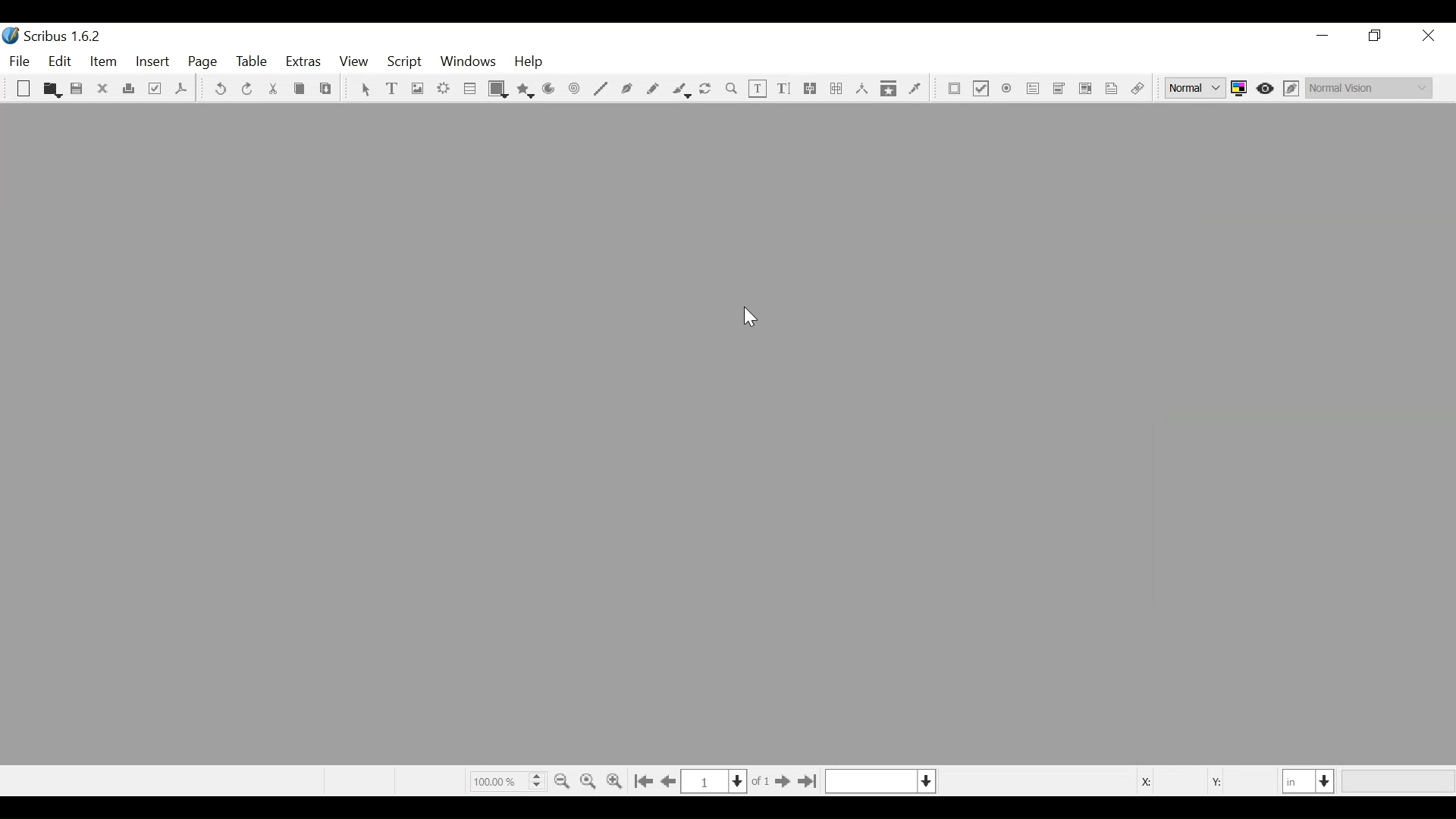 This screenshot has height=819, width=1456. What do you see at coordinates (590, 779) in the screenshot?
I see `Zoom to 100` at bounding box center [590, 779].